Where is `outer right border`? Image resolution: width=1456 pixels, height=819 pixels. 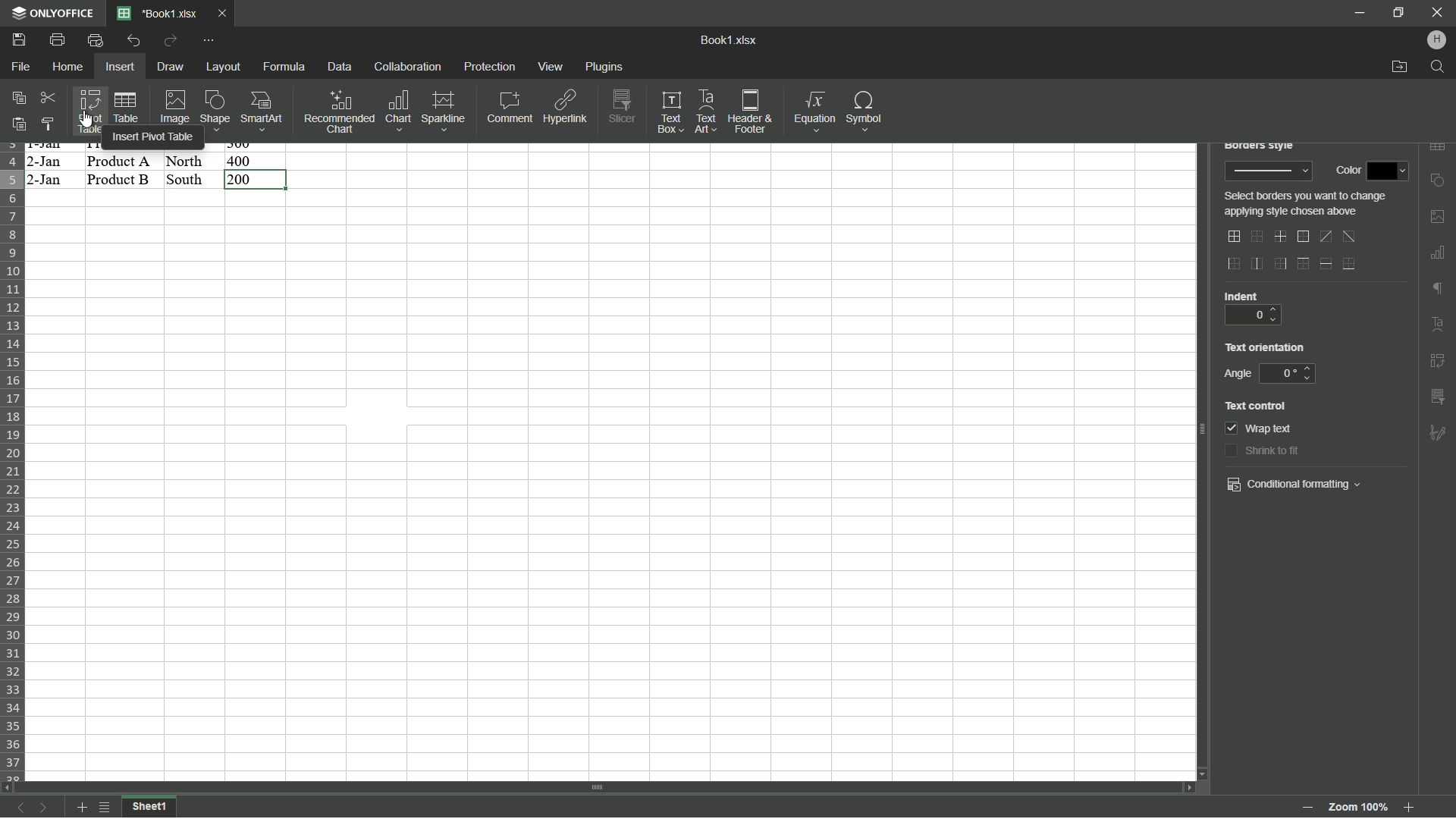 outer right border is located at coordinates (1279, 263).